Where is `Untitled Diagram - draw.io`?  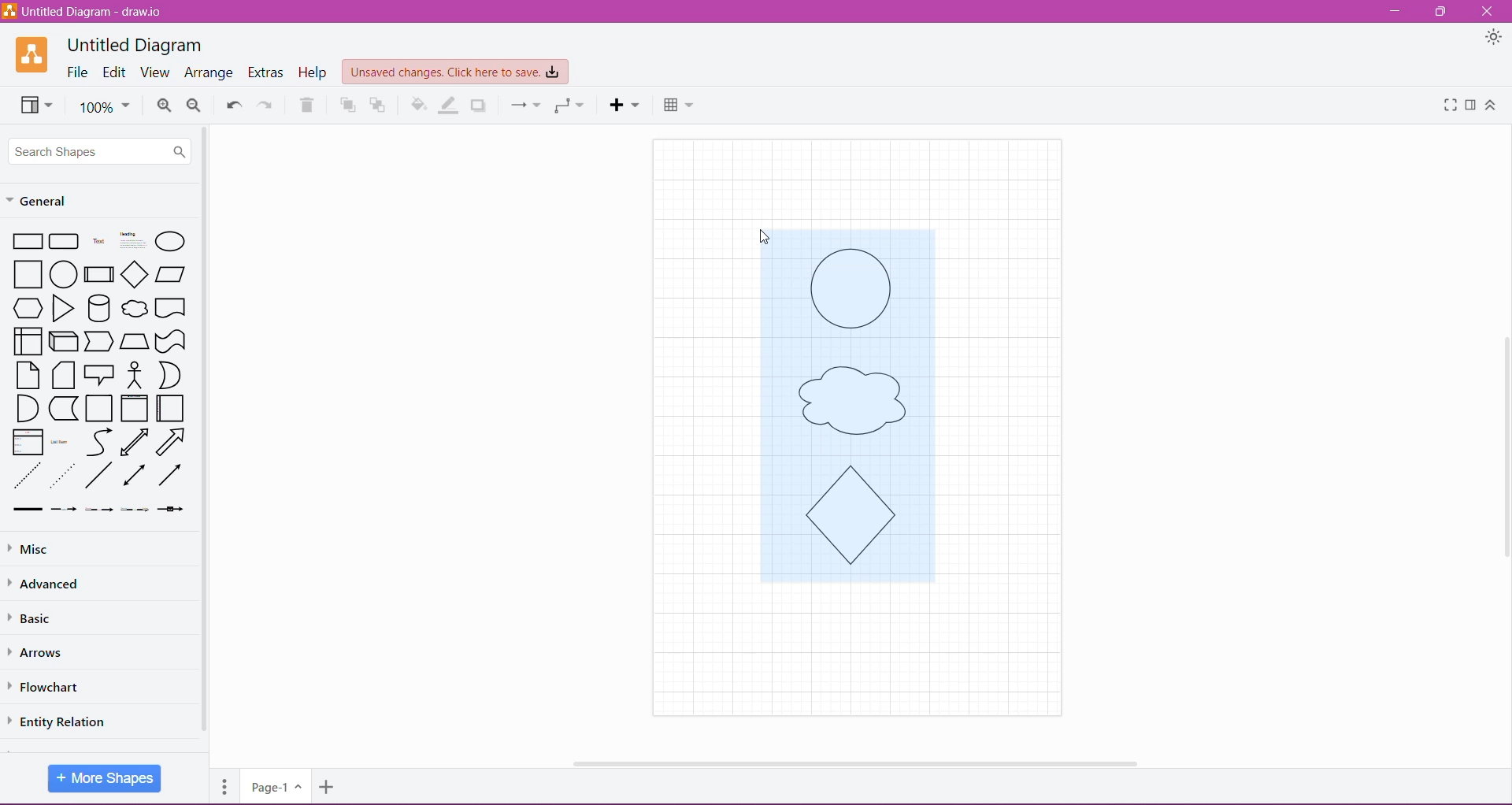
Untitled Diagram - draw.io is located at coordinates (88, 13).